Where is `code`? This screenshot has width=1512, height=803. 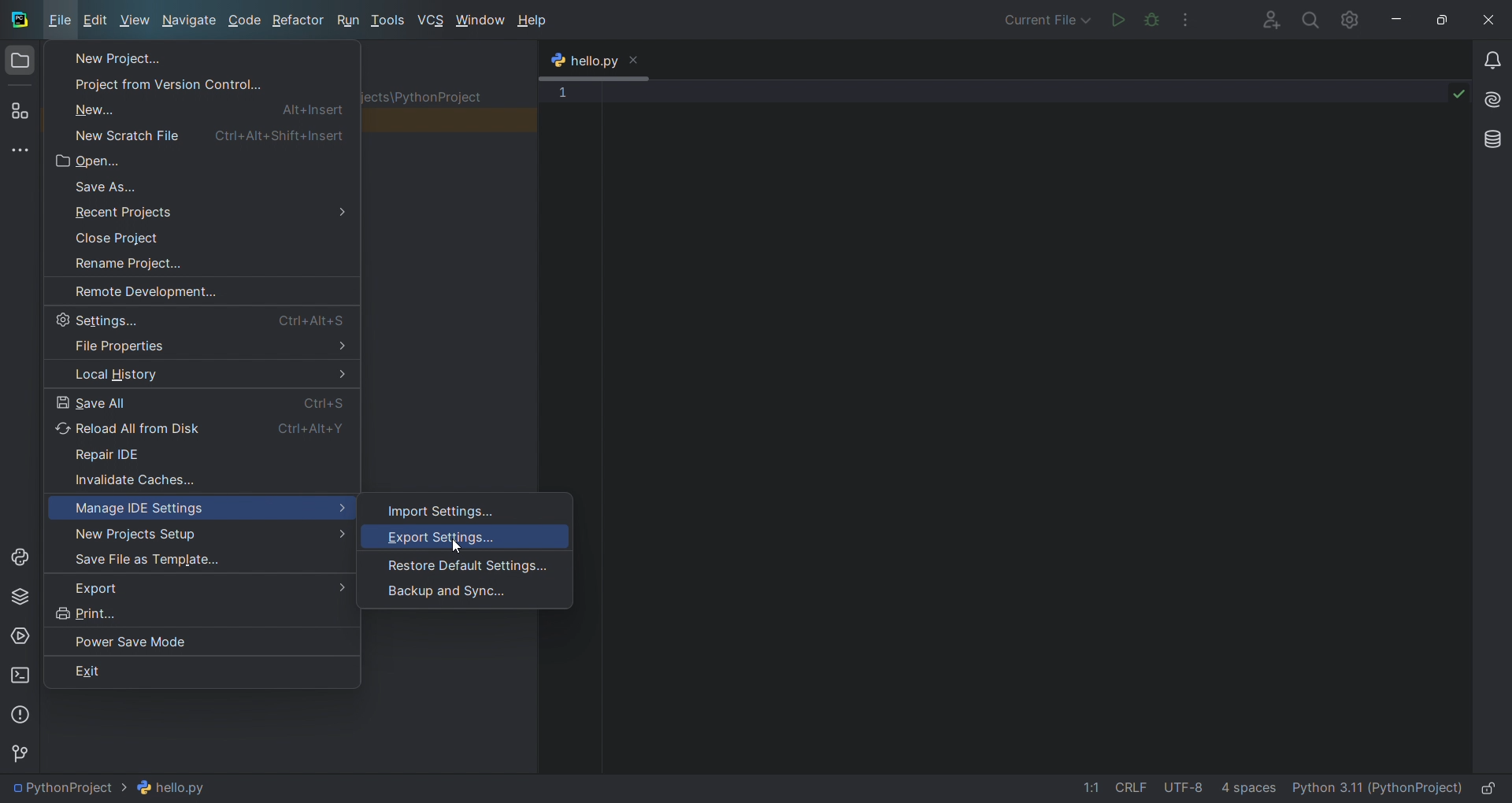 code is located at coordinates (246, 20).